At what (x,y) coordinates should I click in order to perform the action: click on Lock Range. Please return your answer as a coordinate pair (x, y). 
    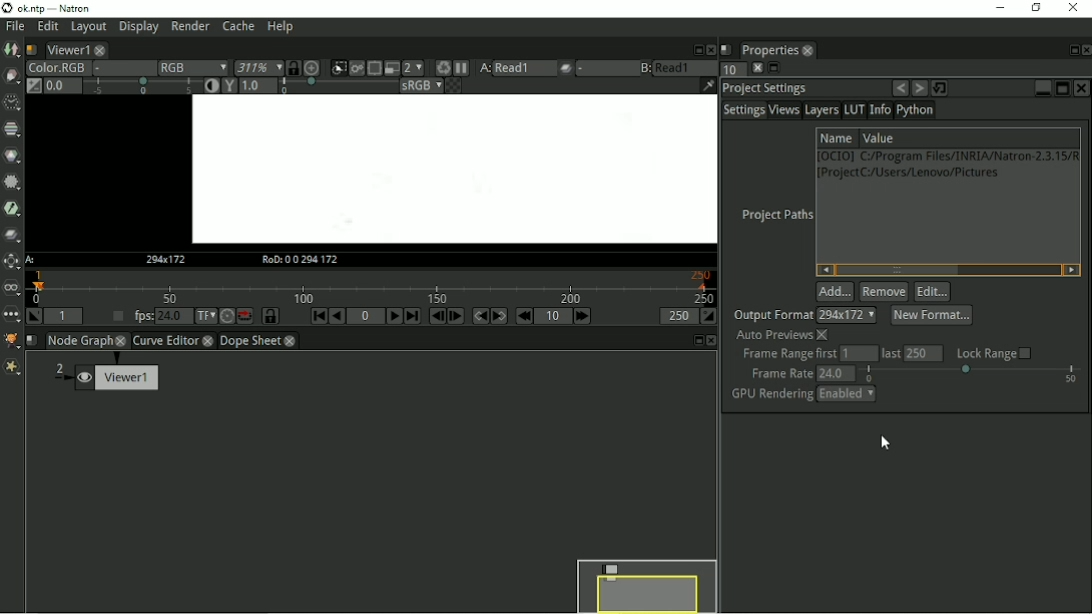
    Looking at the image, I should click on (994, 352).